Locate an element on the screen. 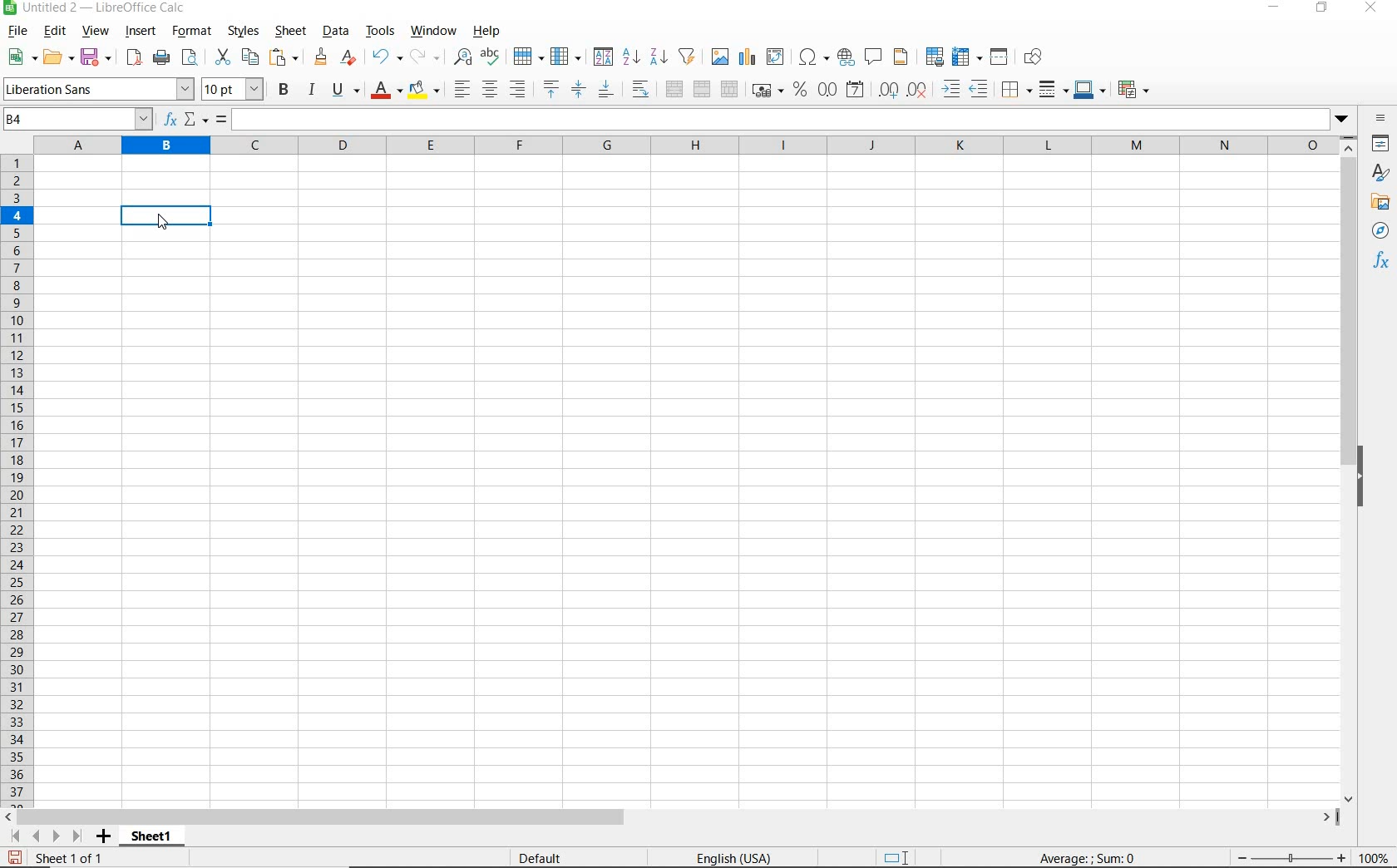 Image resolution: width=1397 pixels, height=868 pixels. tools is located at coordinates (381, 32).